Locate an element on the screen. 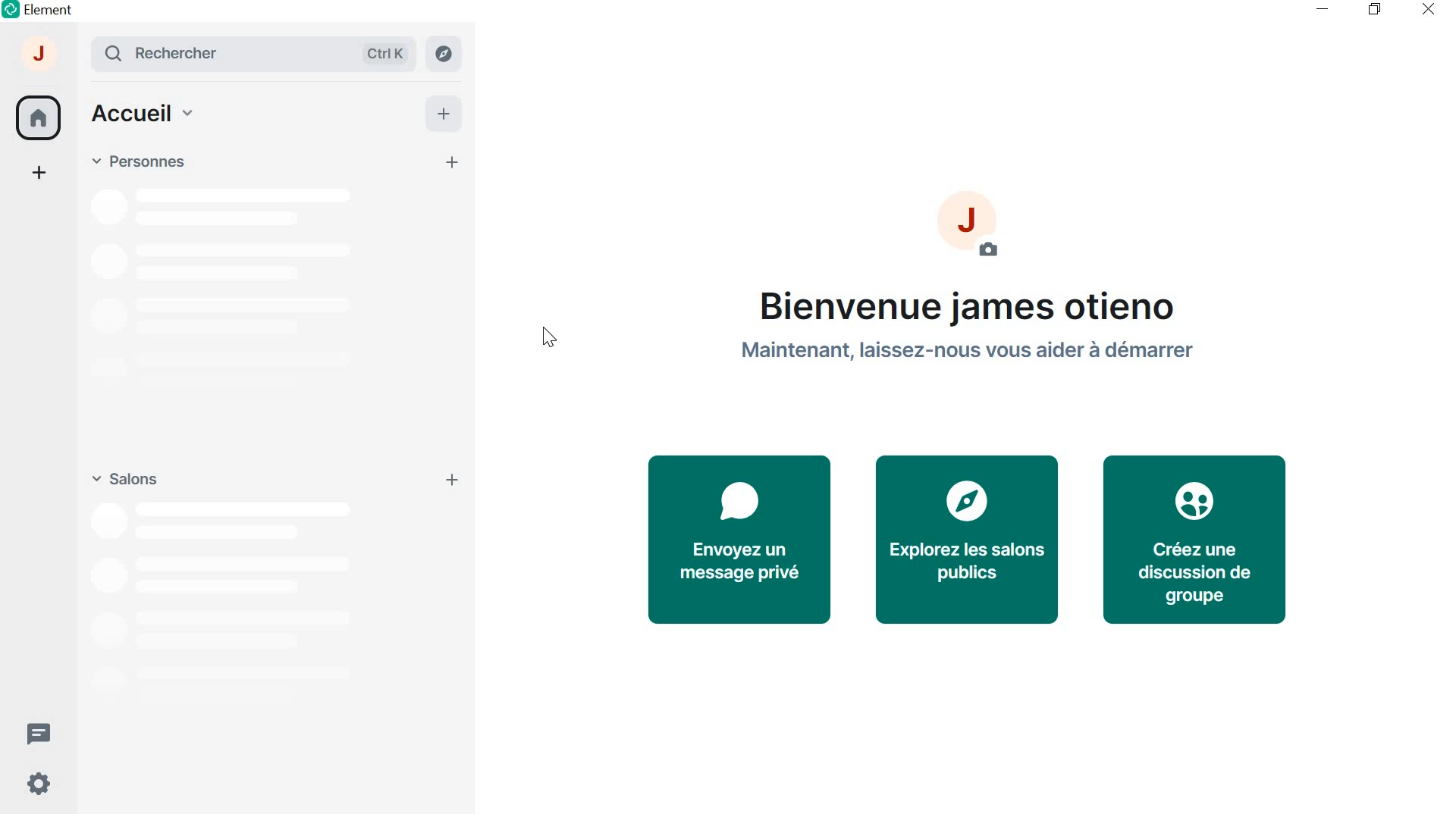  cursor is located at coordinates (549, 340).